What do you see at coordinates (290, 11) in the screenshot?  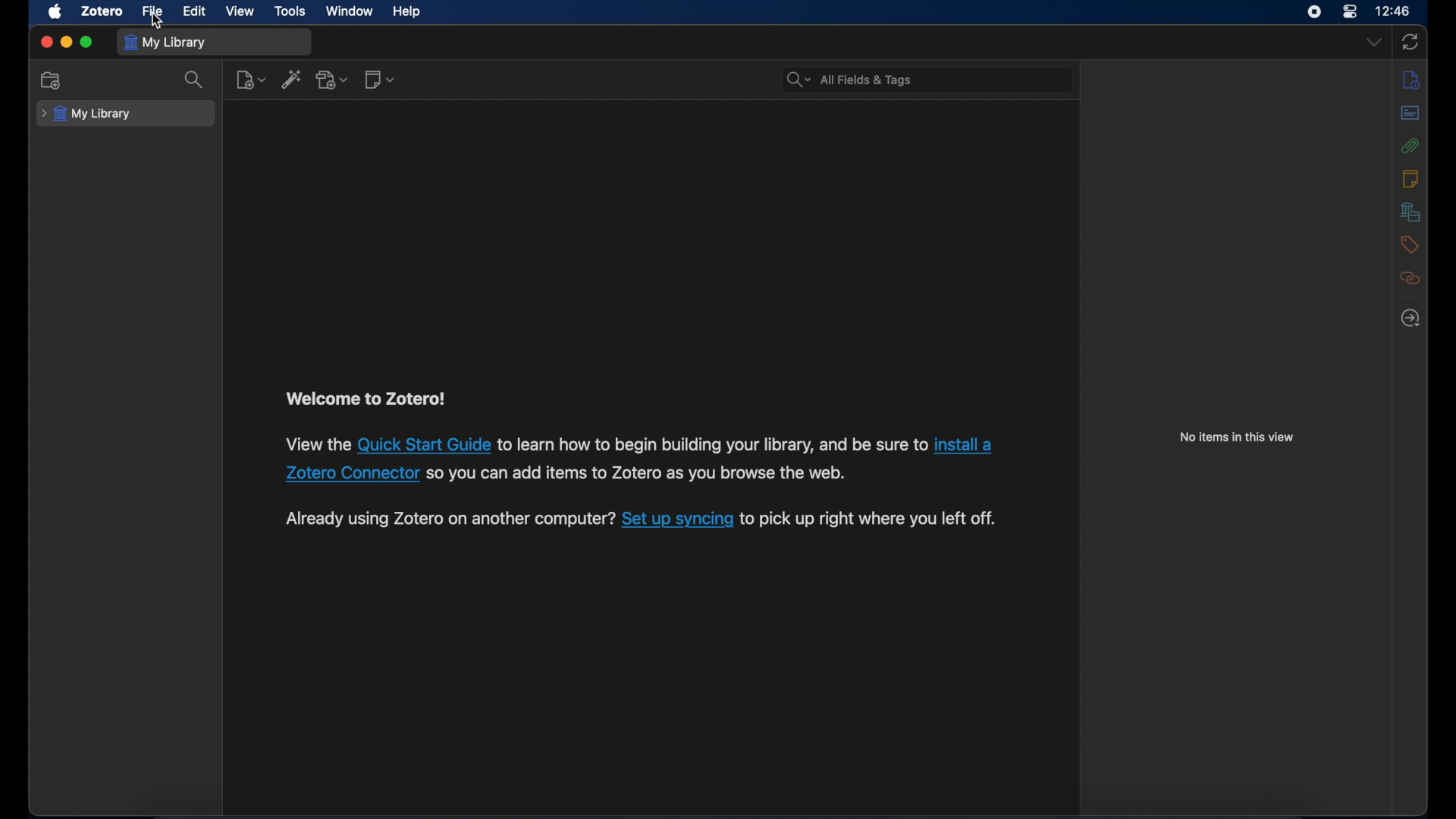 I see `tools` at bounding box center [290, 11].